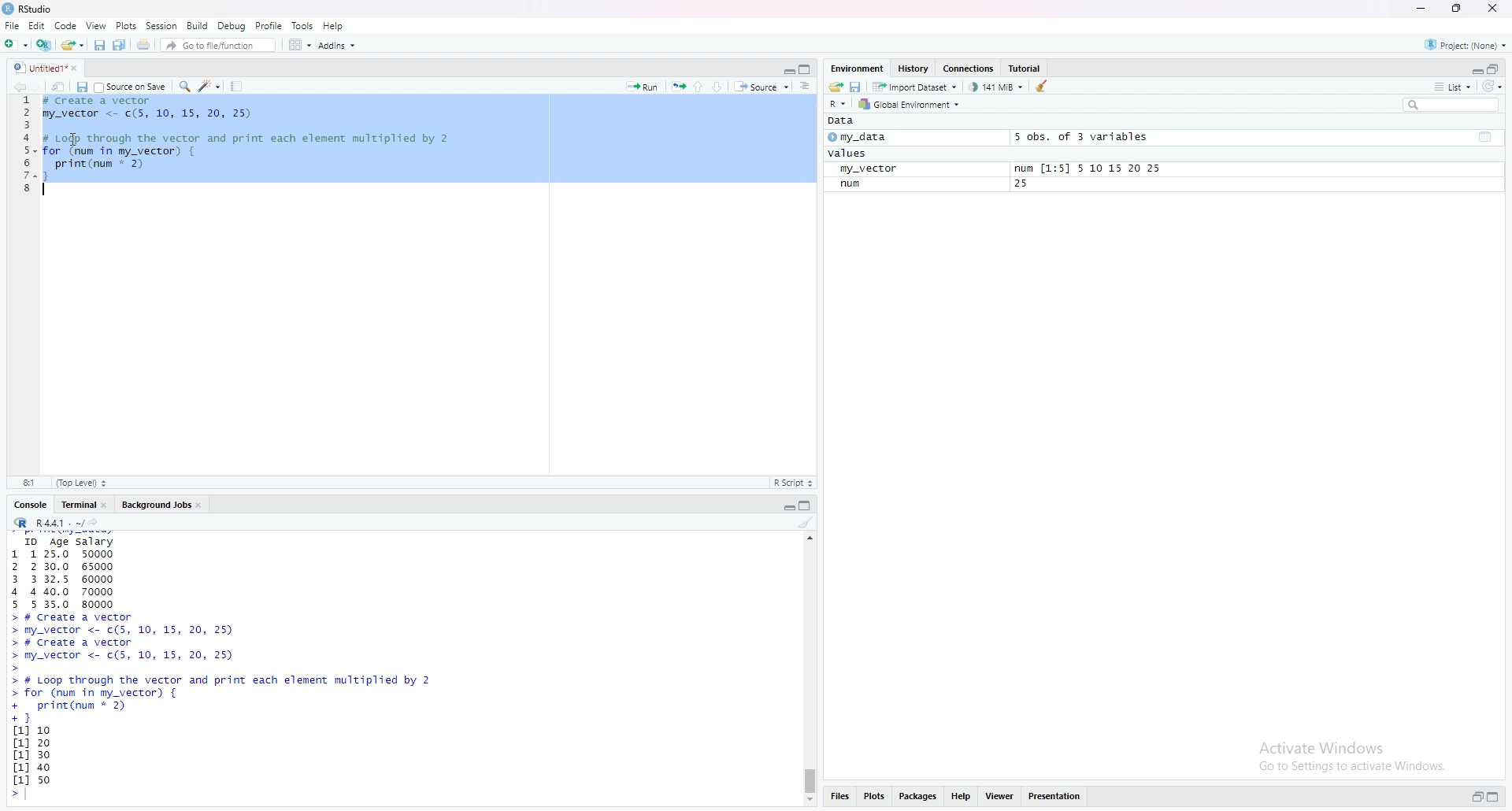 The height and width of the screenshot is (811, 1512). I want to click on import dataset, so click(915, 87).